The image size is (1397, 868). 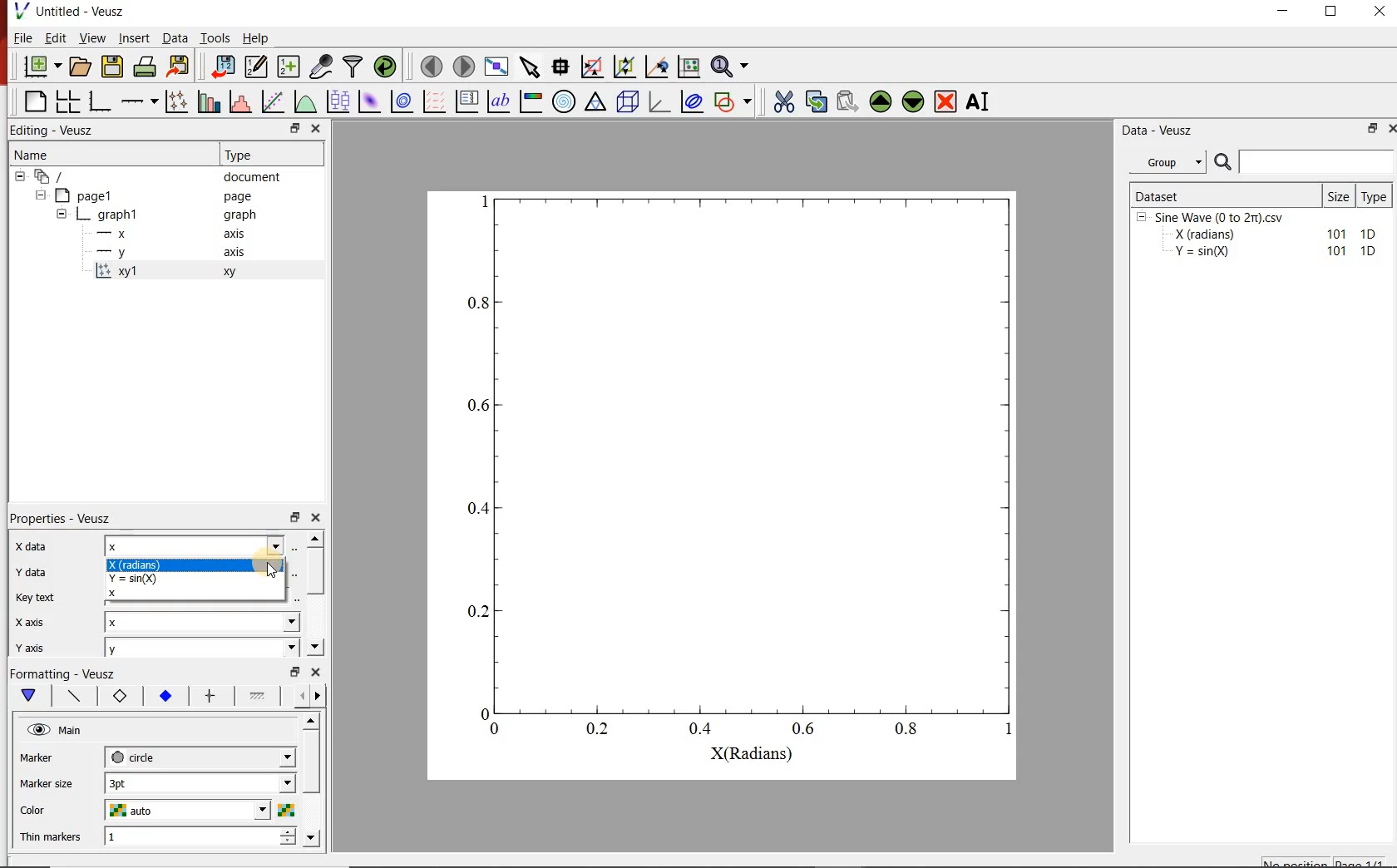 What do you see at coordinates (1258, 239) in the screenshot?
I see `Sine Wave (0 to 2m).csvX (radians) 101 1DY =sin(Q) 101 1D` at bounding box center [1258, 239].